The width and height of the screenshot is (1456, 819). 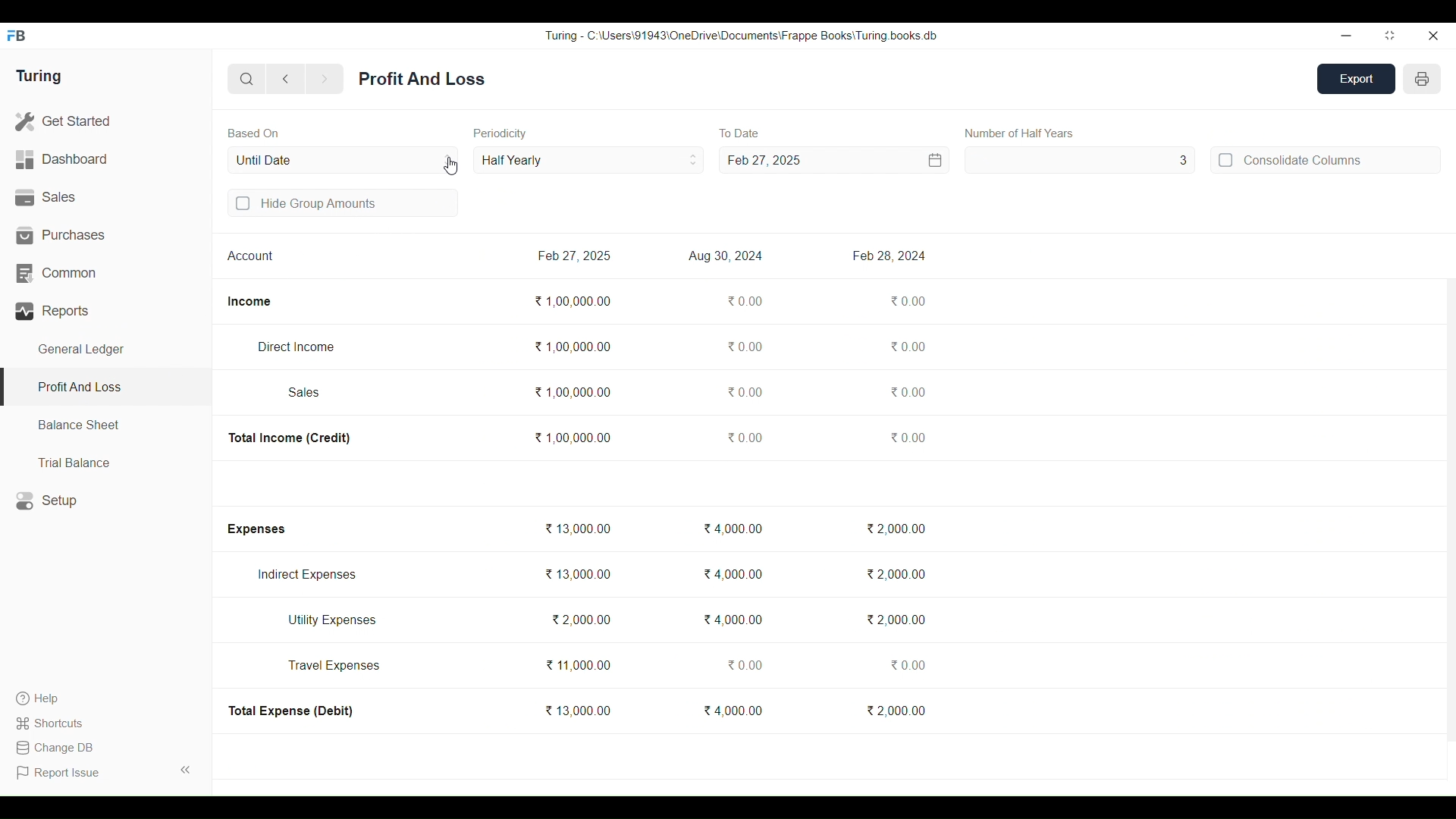 What do you see at coordinates (908, 300) in the screenshot?
I see `0.00` at bounding box center [908, 300].